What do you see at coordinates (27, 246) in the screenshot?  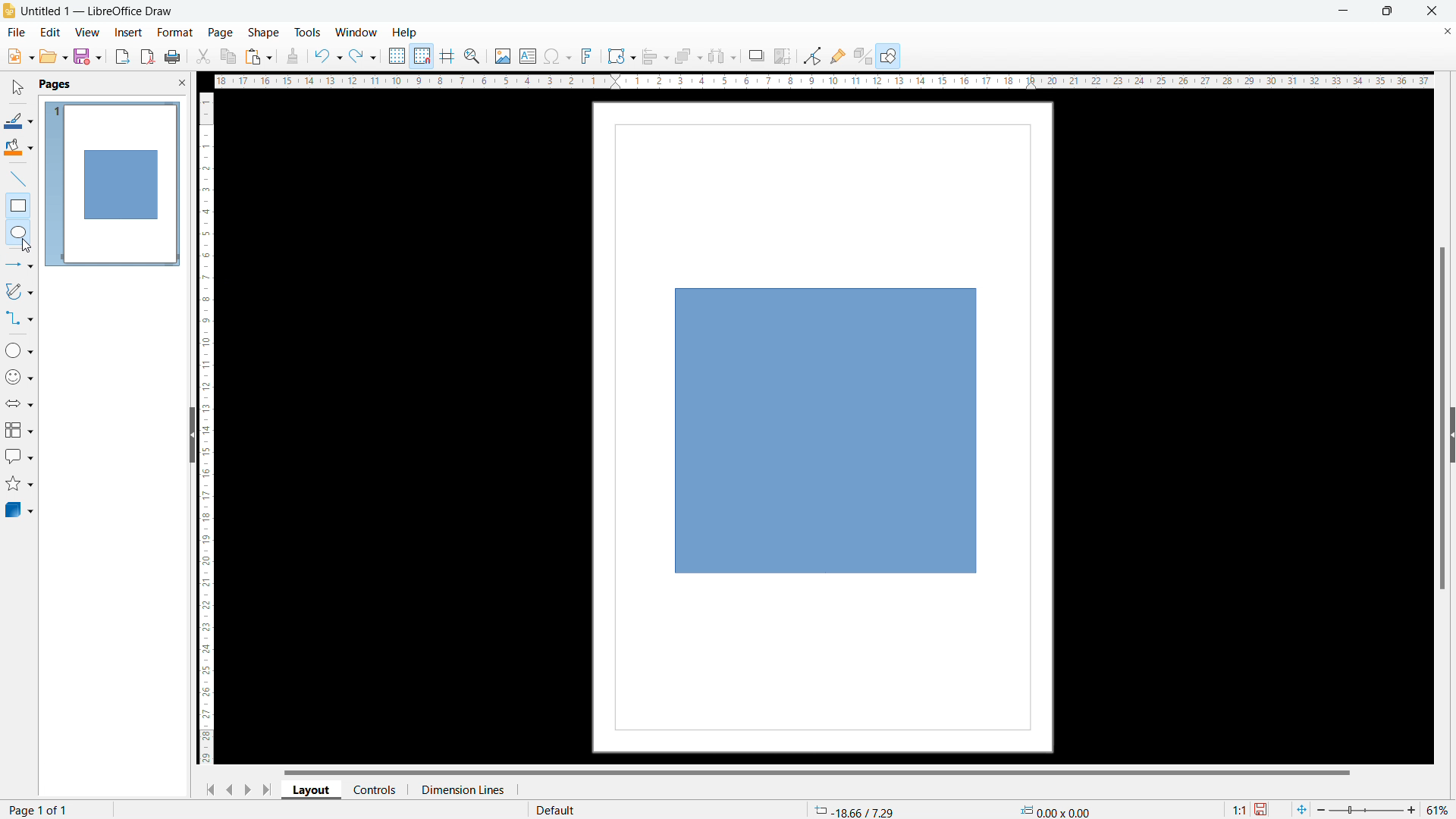 I see `cursor` at bounding box center [27, 246].